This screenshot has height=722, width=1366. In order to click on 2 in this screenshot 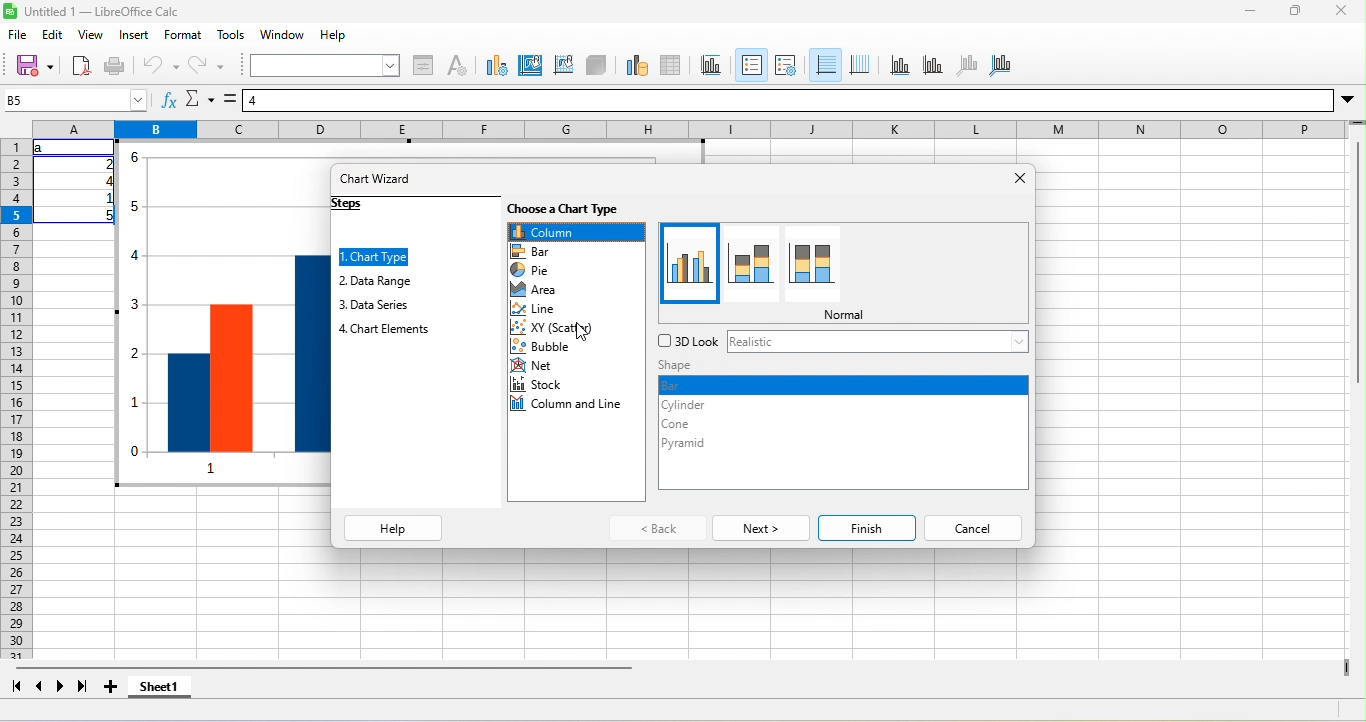, I will do `click(106, 164)`.